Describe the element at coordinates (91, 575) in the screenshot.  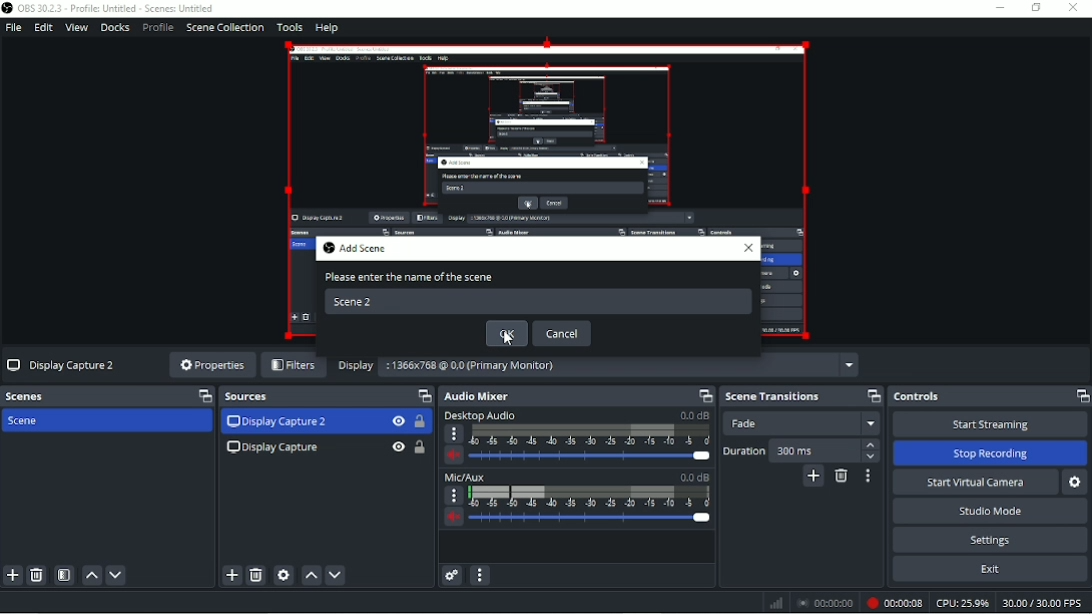
I see `Move scene up` at that location.